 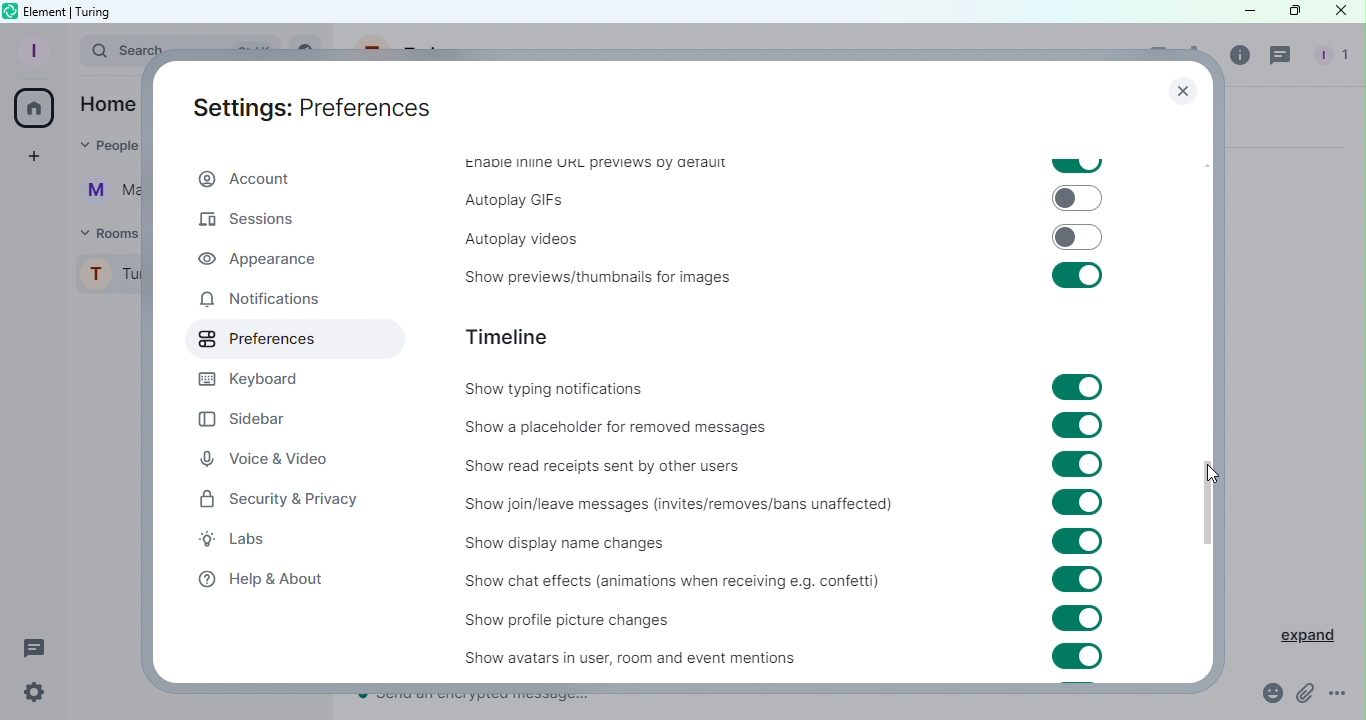 What do you see at coordinates (621, 426) in the screenshot?
I see `SHow a placeholder for removed messages` at bounding box center [621, 426].